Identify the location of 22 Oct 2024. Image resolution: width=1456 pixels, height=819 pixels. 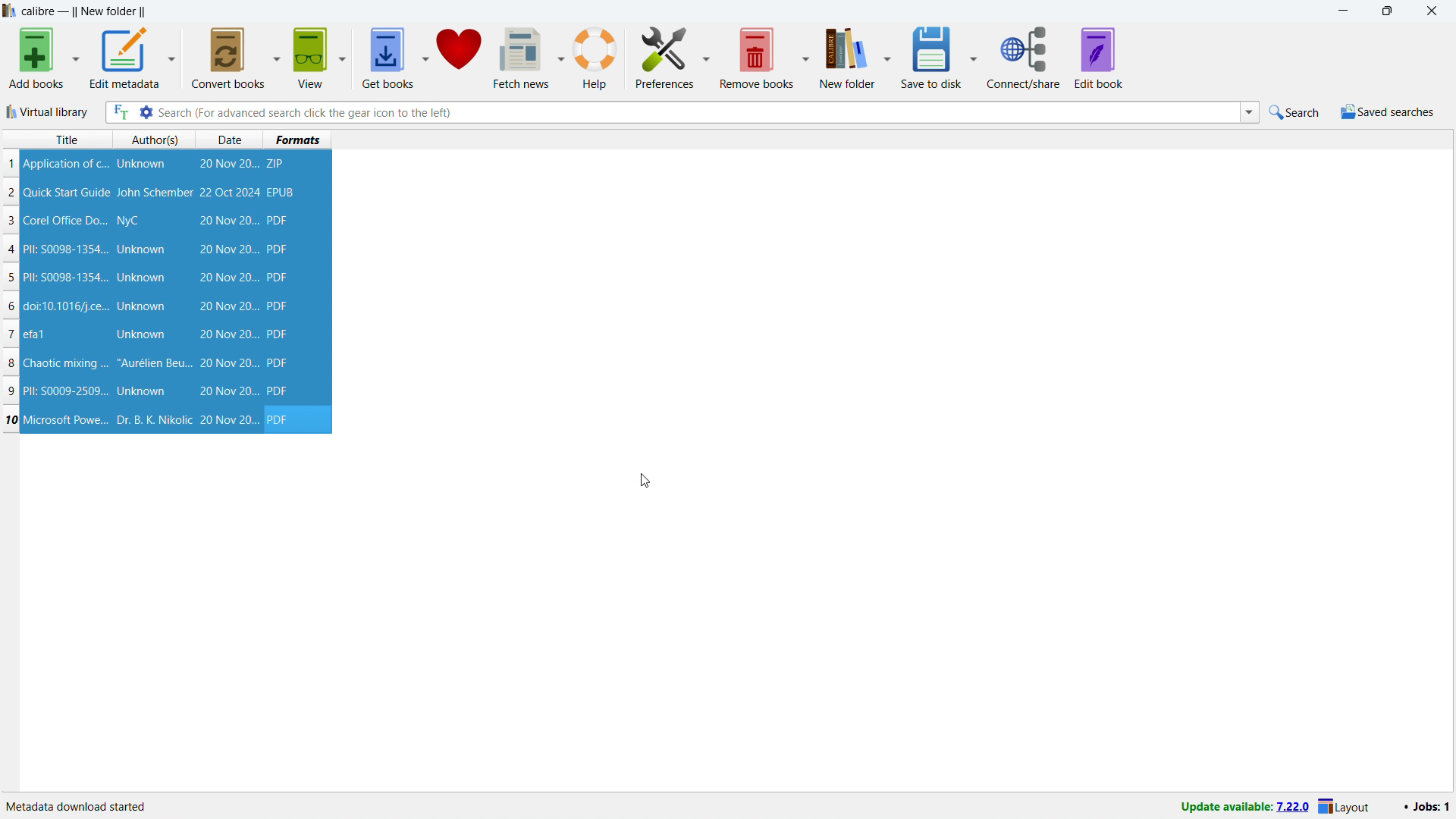
(229, 192).